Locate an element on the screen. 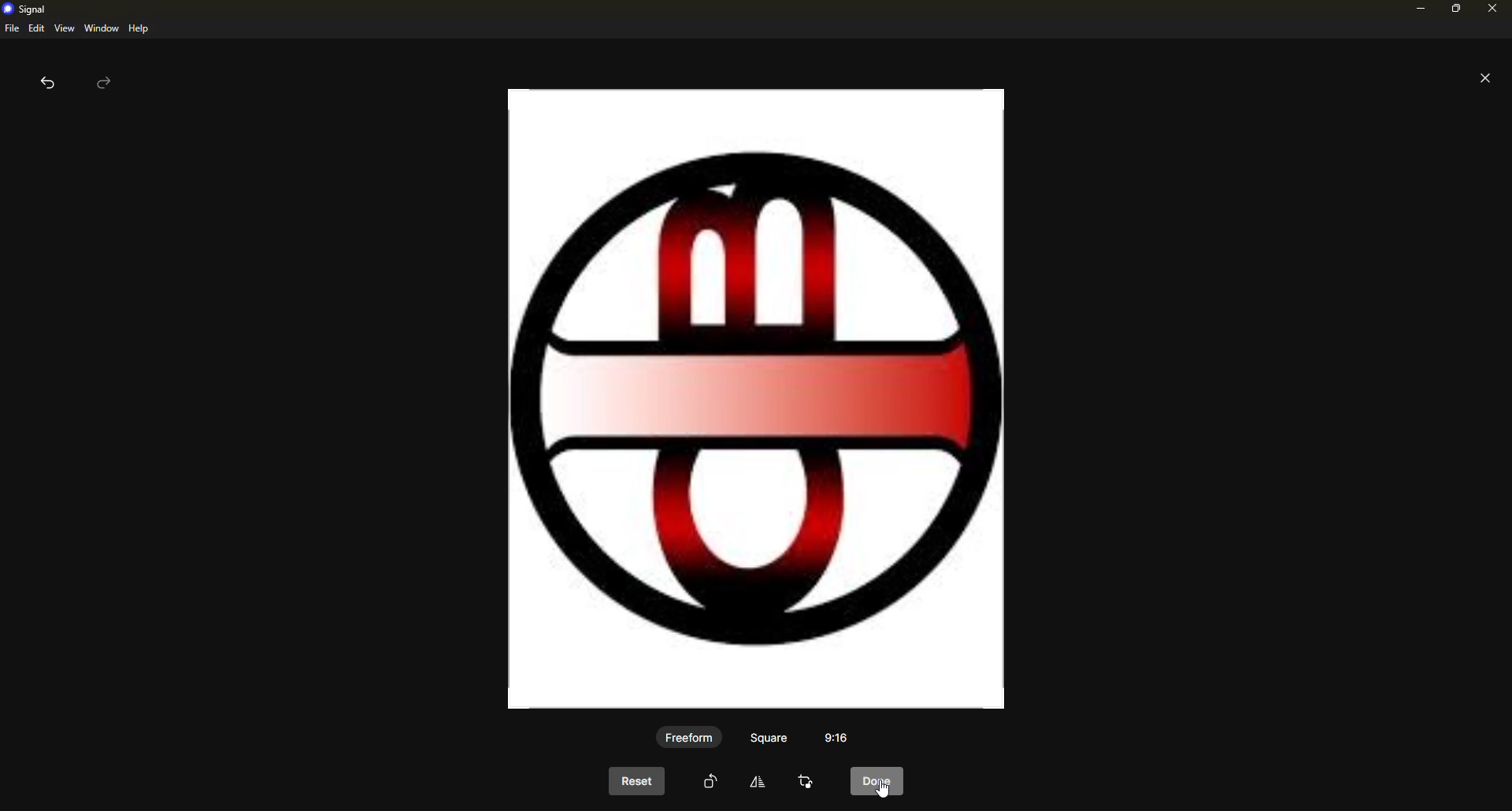 Image resolution: width=1512 pixels, height=811 pixels. help is located at coordinates (139, 28).